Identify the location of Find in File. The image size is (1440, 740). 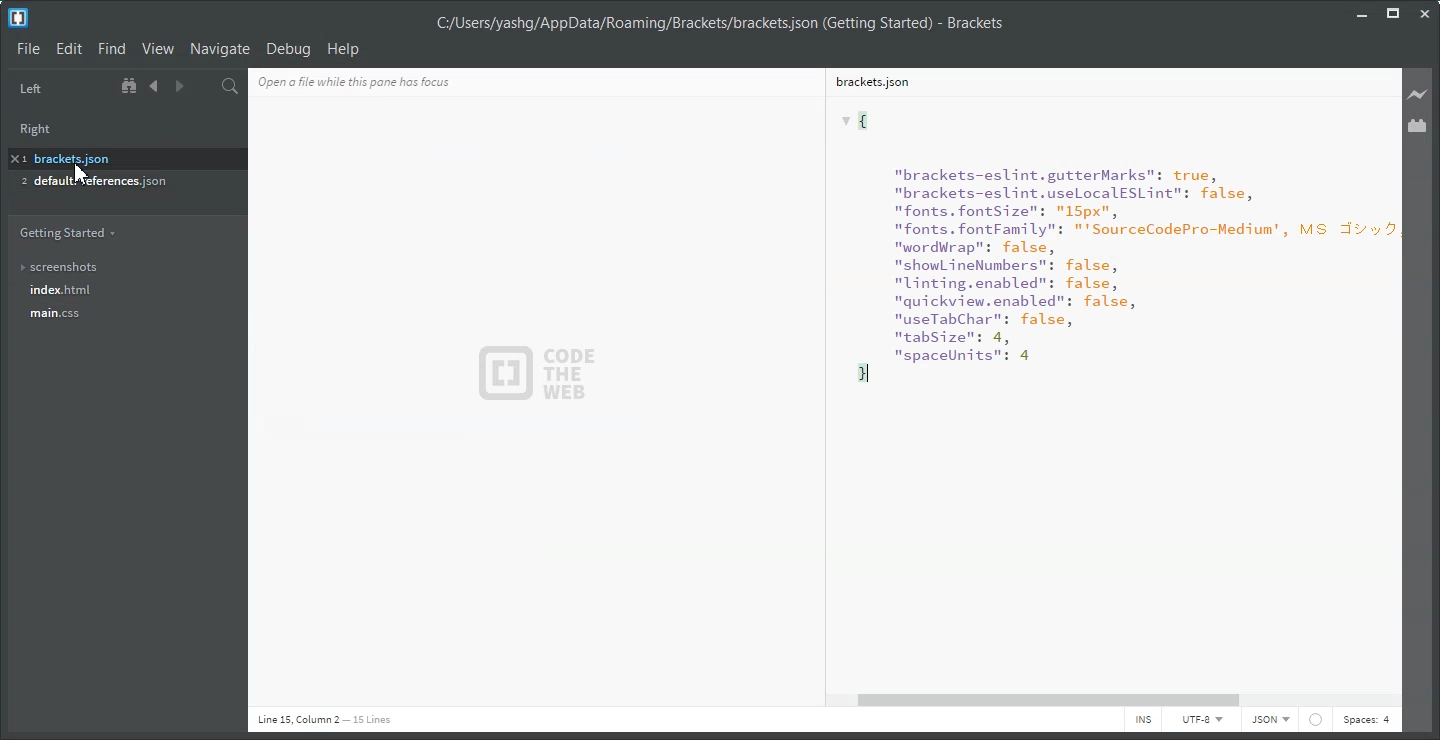
(230, 86).